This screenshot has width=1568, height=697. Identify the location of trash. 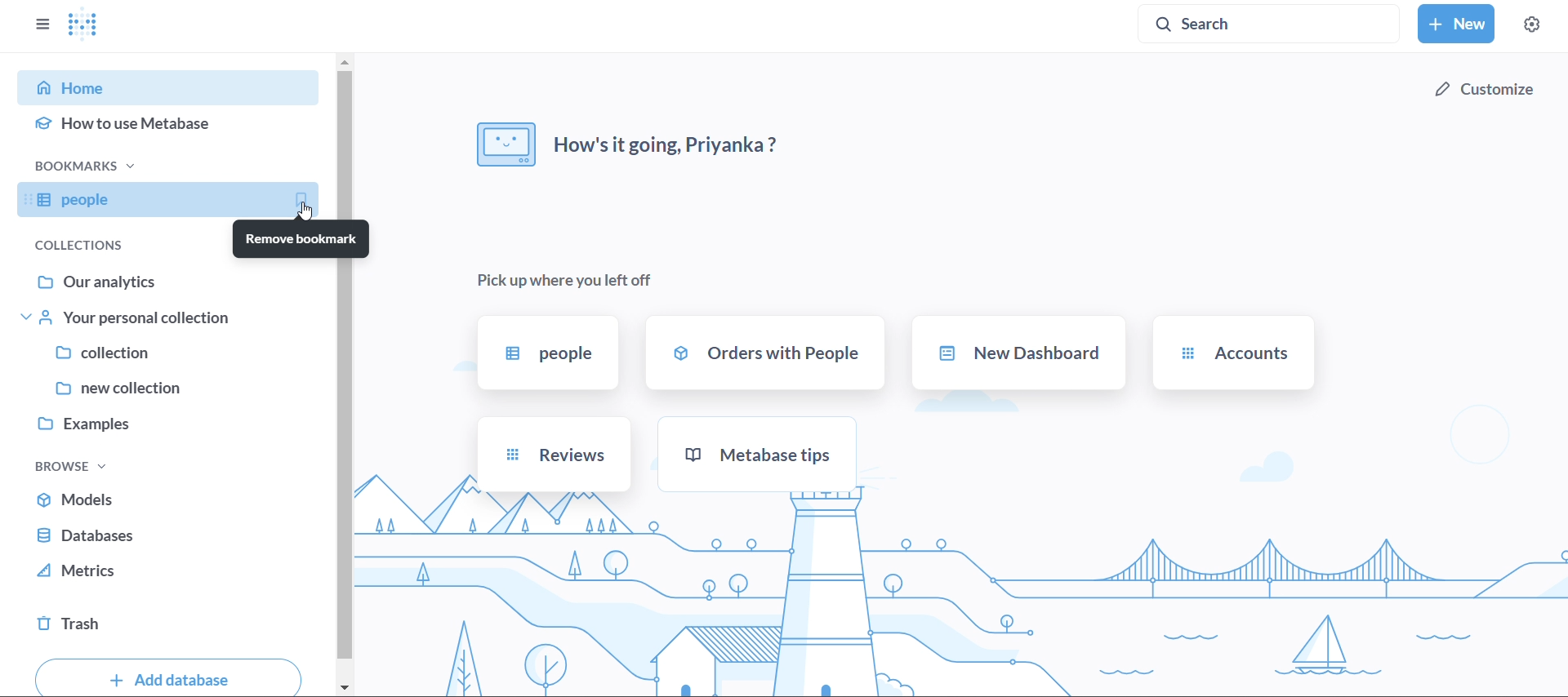
(162, 624).